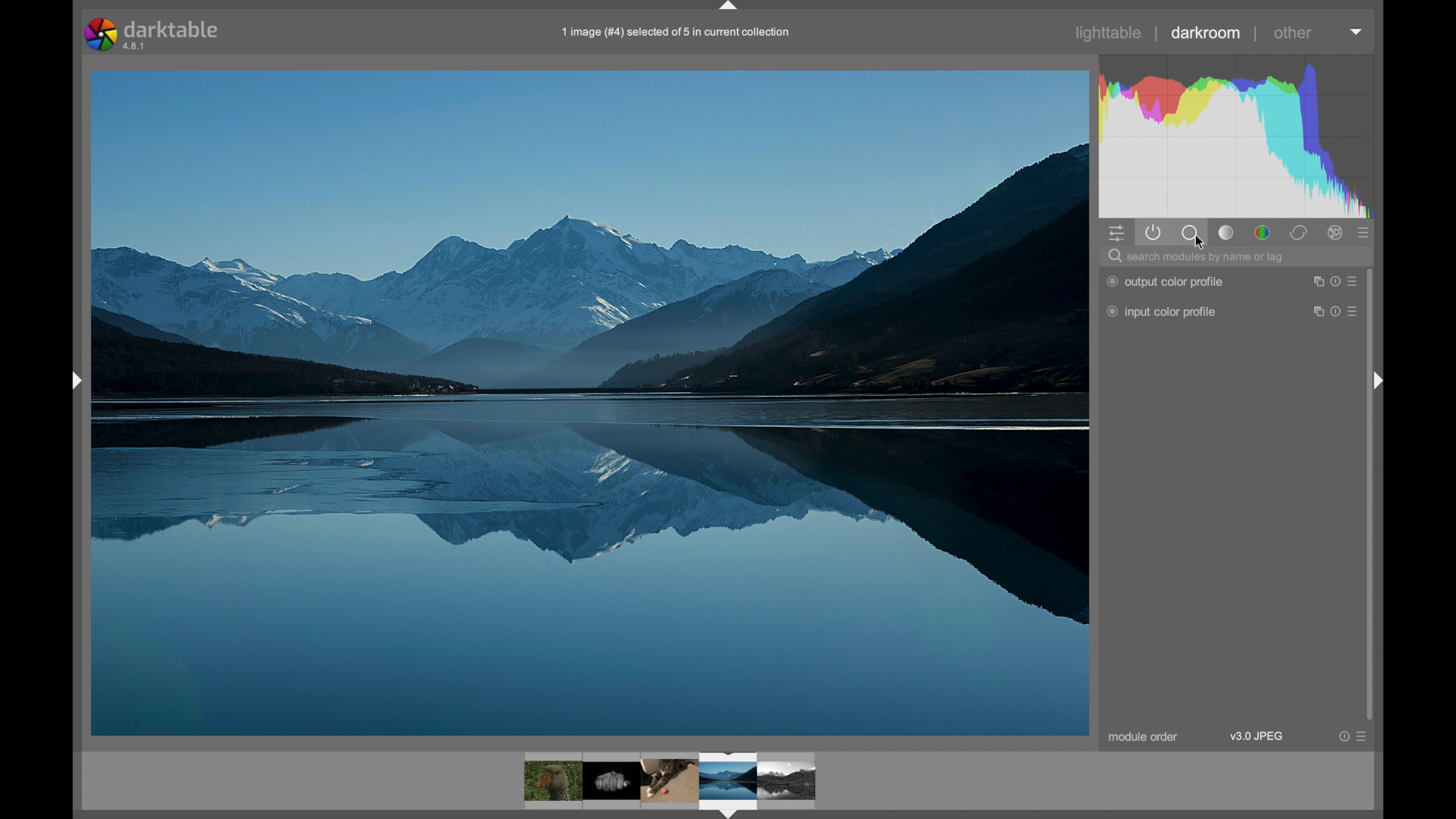  What do you see at coordinates (1364, 234) in the screenshot?
I see `presets` at bounding box center [1364, 234].